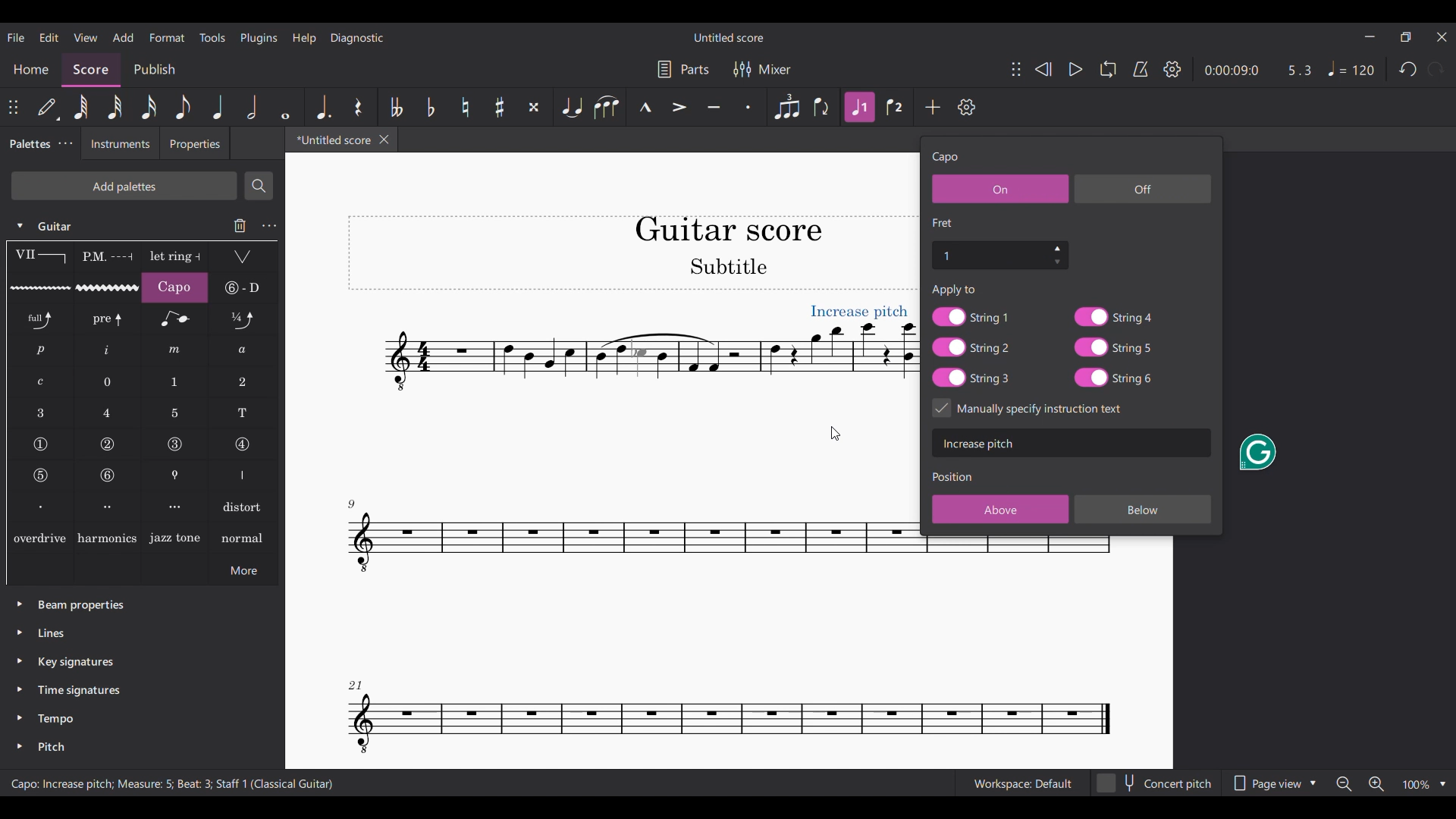 This screenshot has width=1456, height=819. What do you see at coordinates (1108, 69) in the screenshot?
I see `Loop playback` at bounding box center [1108, 69].